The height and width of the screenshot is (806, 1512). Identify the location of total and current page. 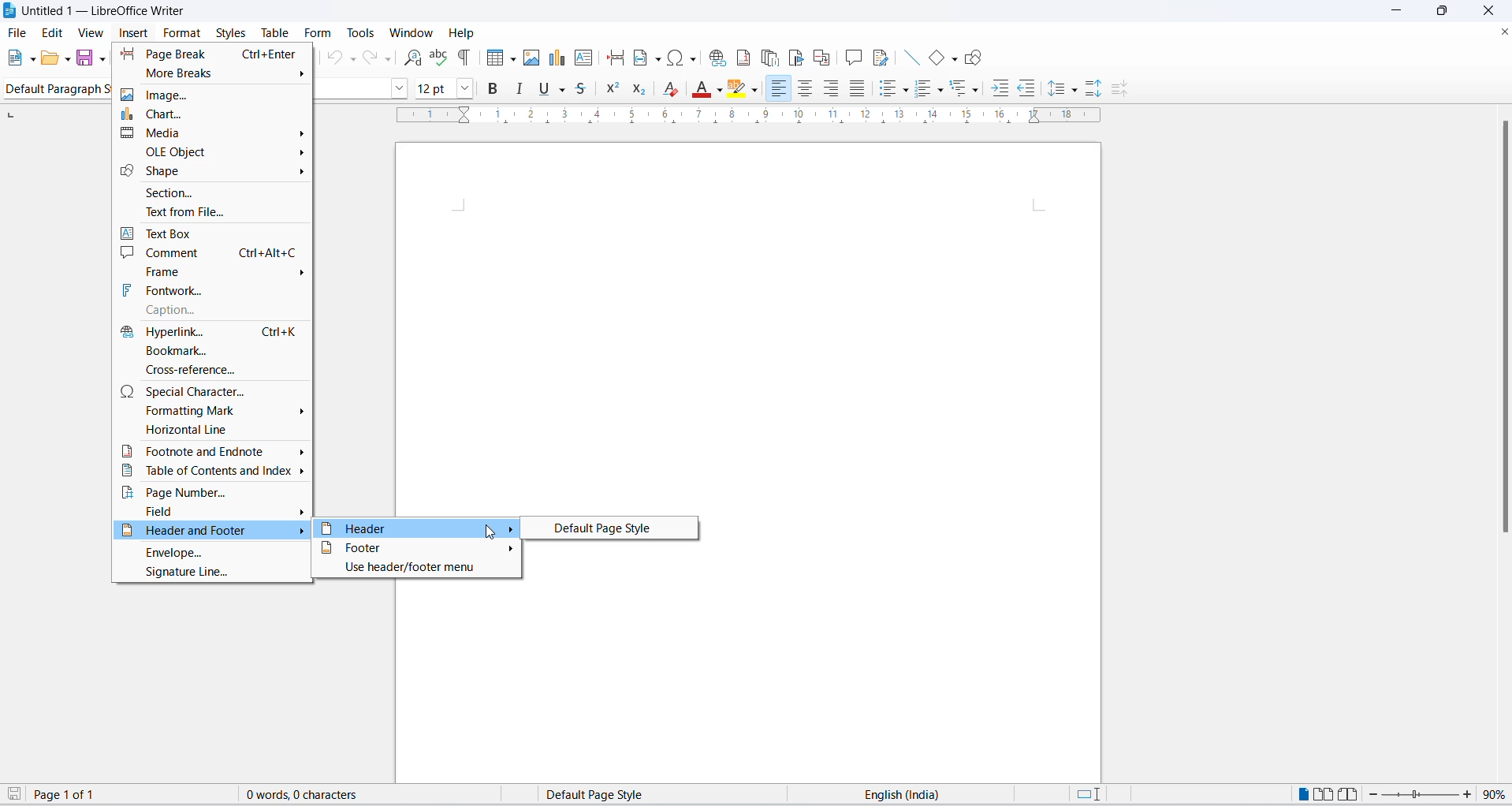
(76, 796).